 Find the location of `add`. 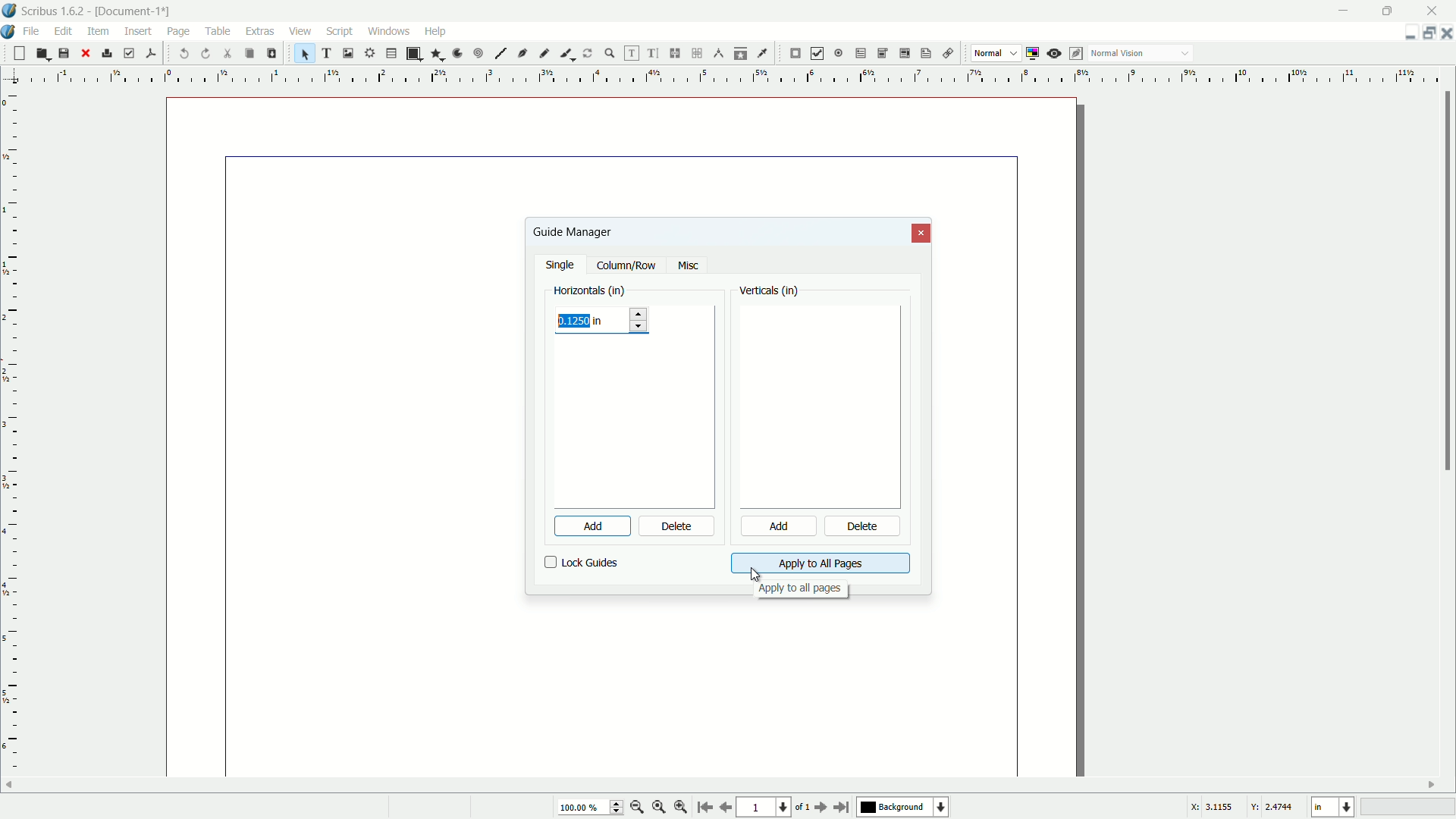

add is located at coordinates (583, 526).